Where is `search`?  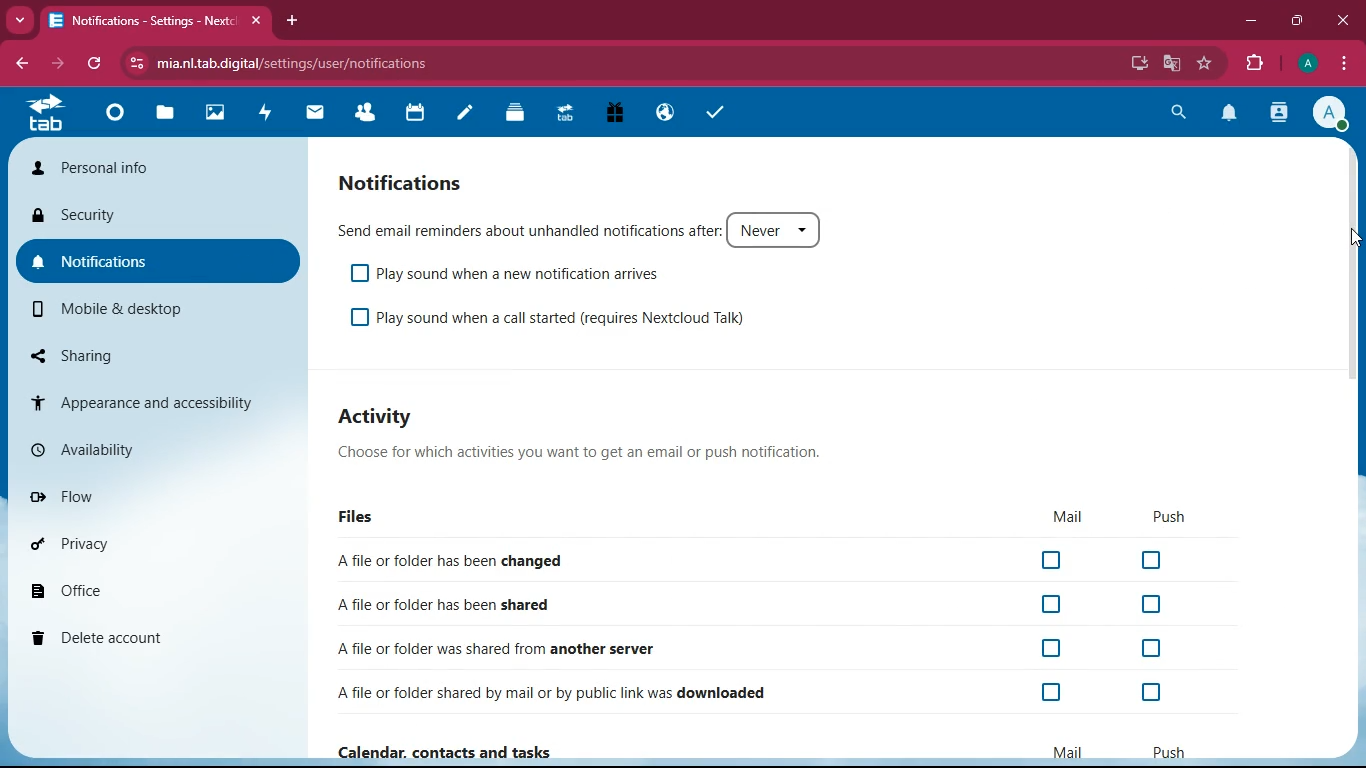 search is located at coordinates (1177, 114).